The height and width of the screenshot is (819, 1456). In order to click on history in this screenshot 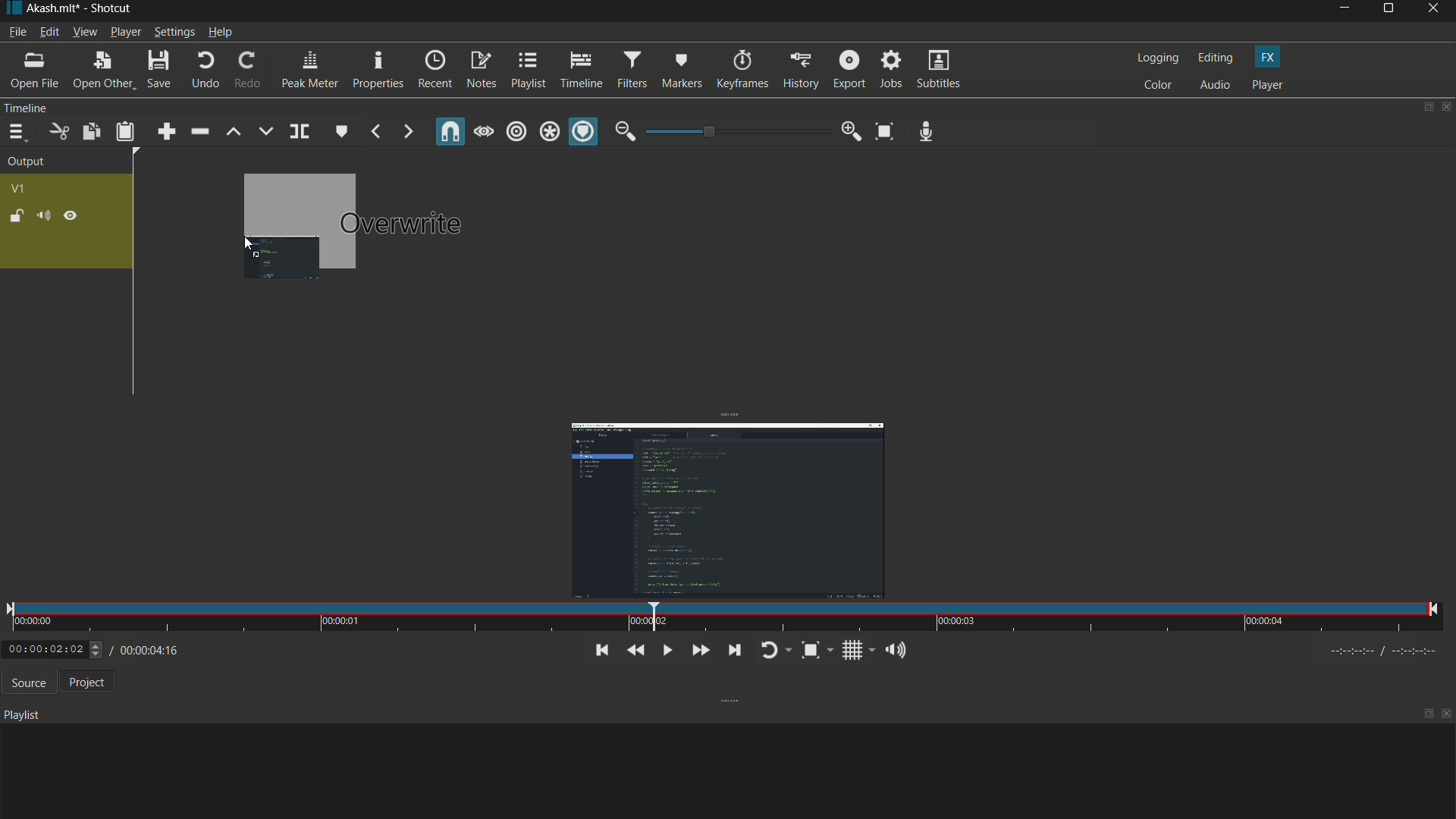, I will do `click(800, 71)`.